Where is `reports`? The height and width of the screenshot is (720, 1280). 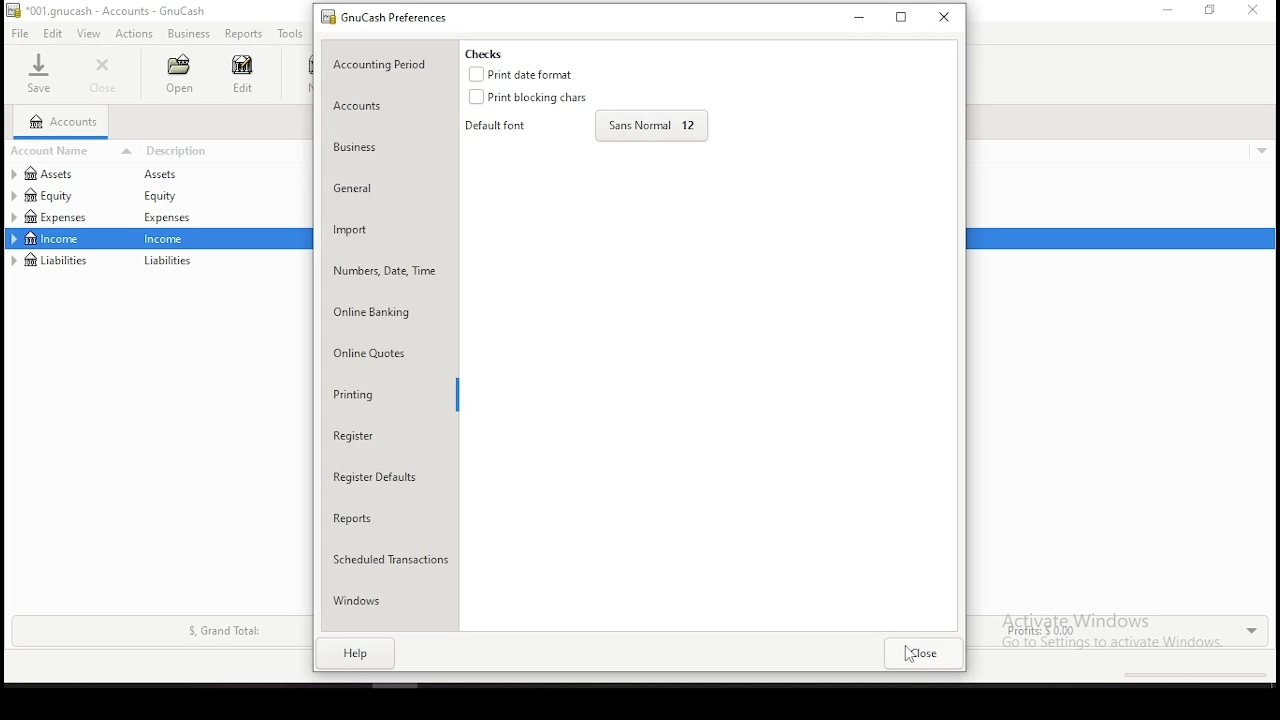
reports is located at coordinates (369, 518).